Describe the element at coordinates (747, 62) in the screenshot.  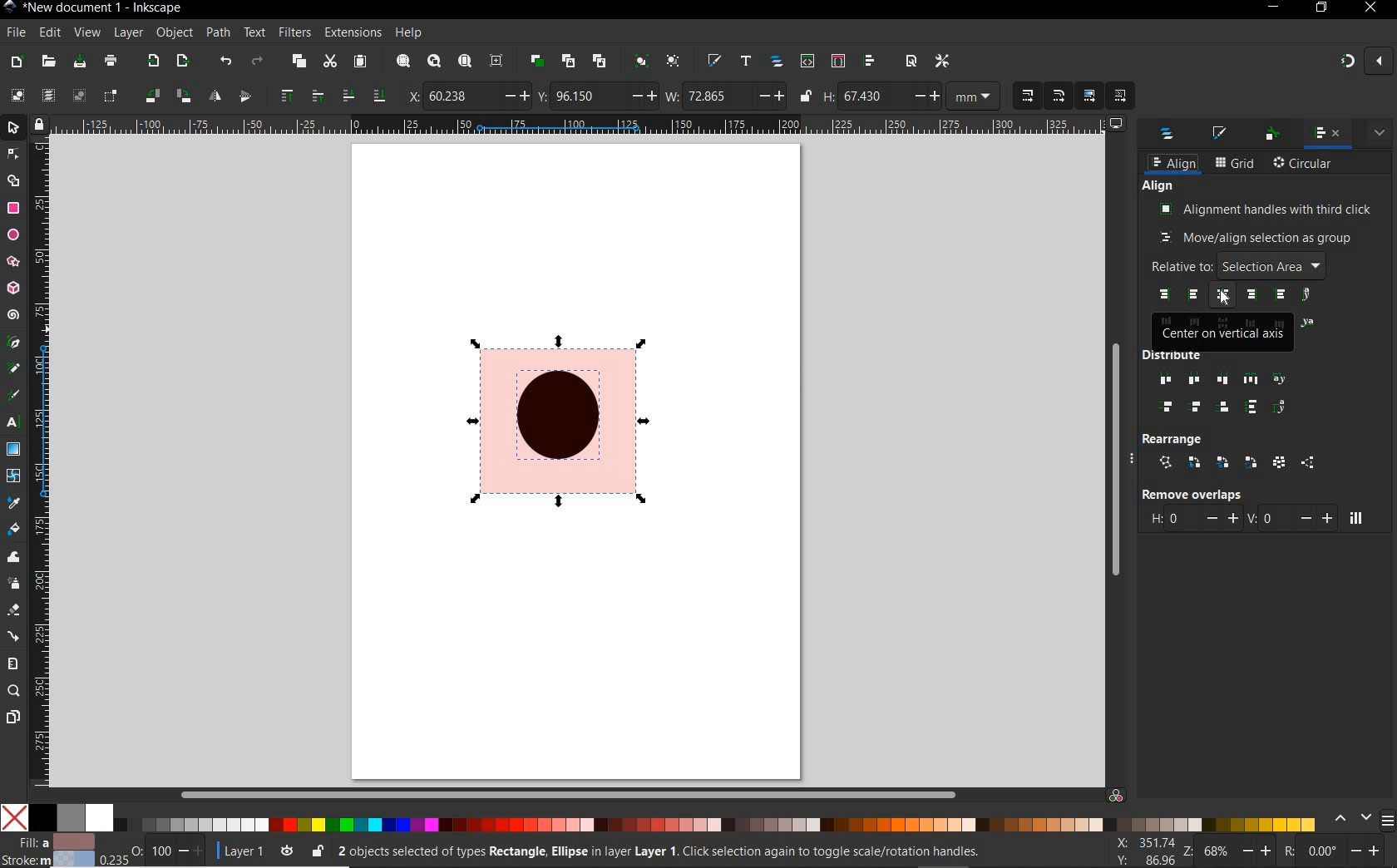
I see `open text` at that location.